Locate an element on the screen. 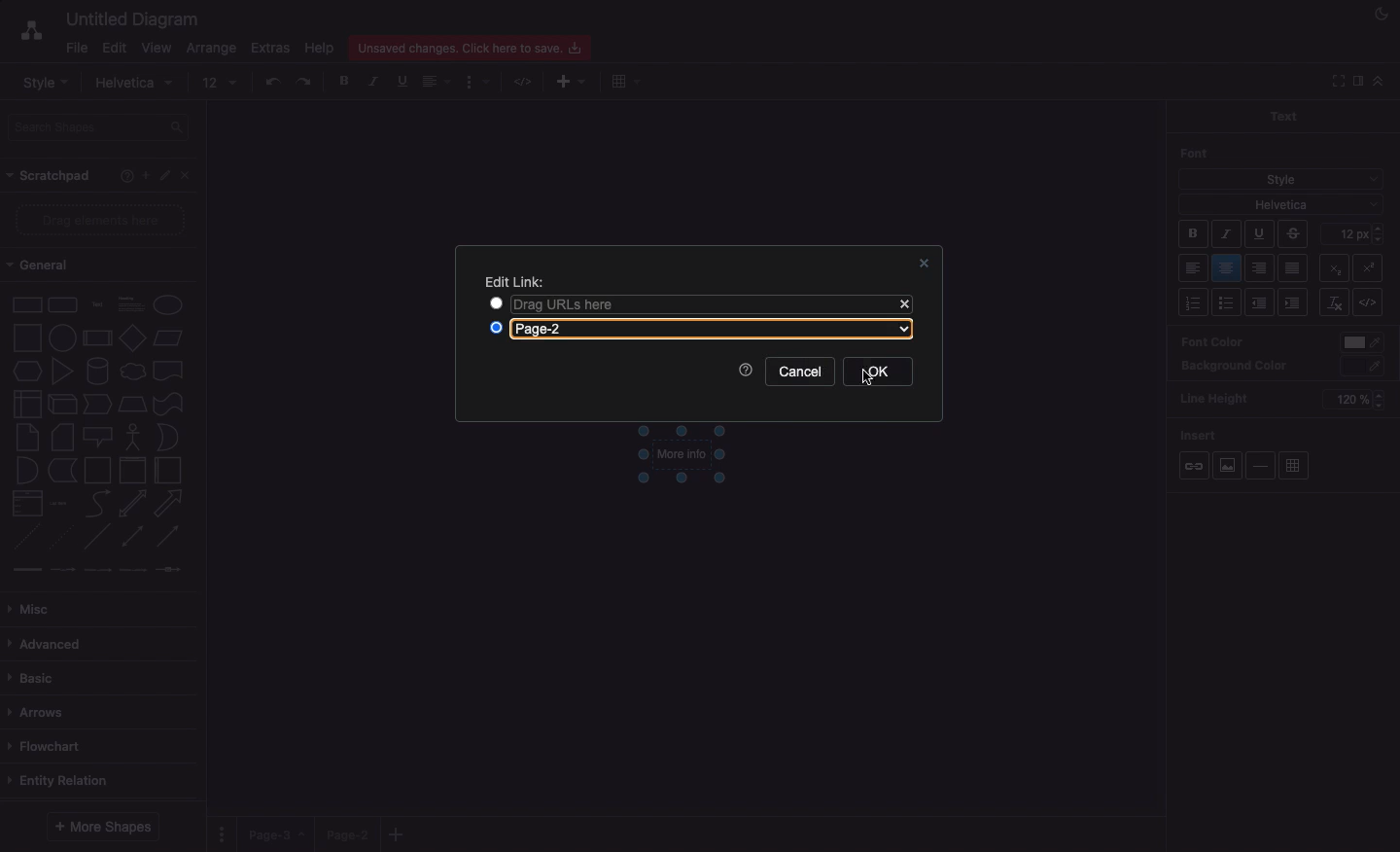 Image resolution: width=1400 pixels, height=852 pixels. list item is located at coordinates (59, 504).